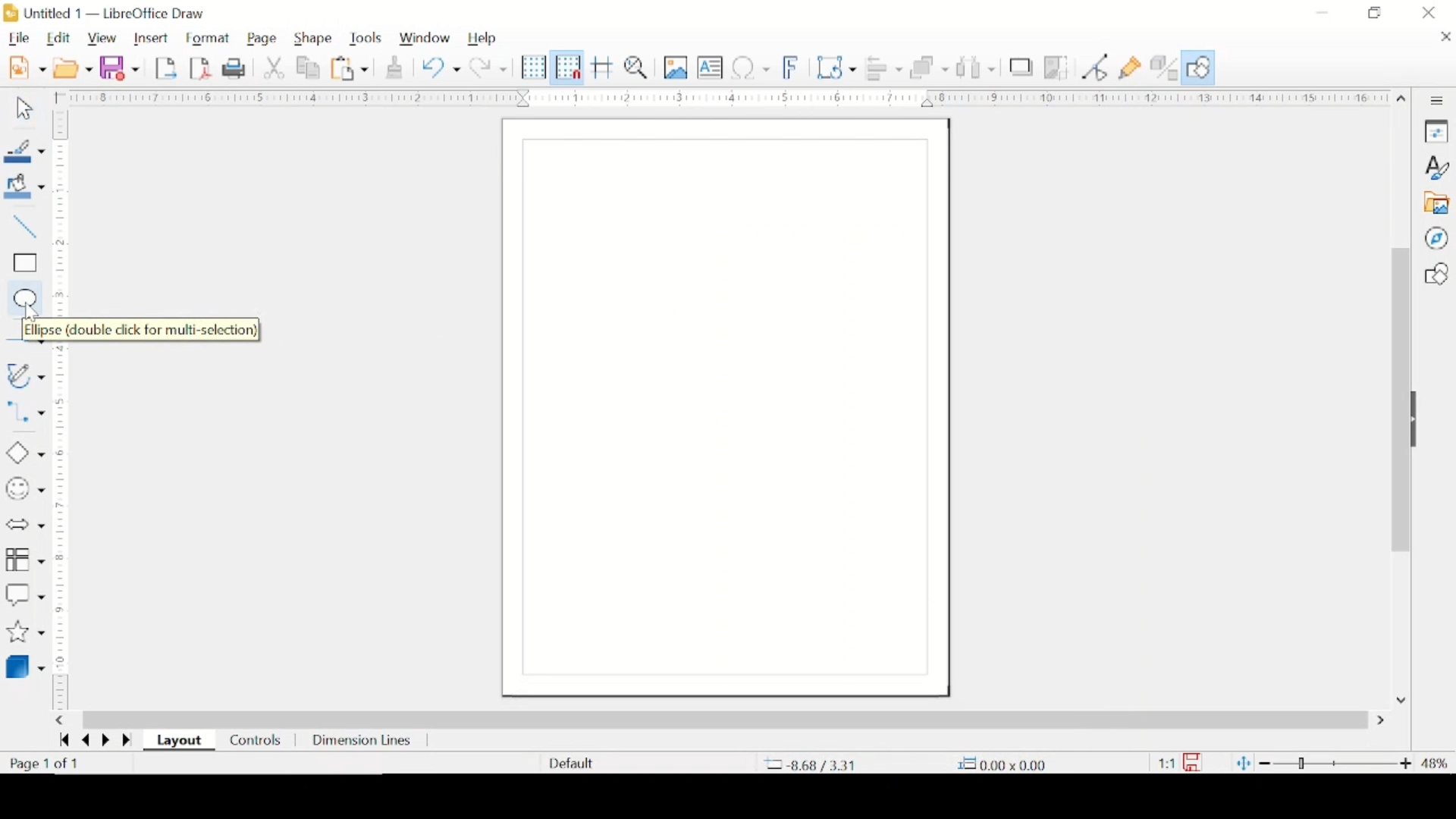  Describe the element at coordinates (1200, 67) in the screenshot. I see `show draw functions` at that location.